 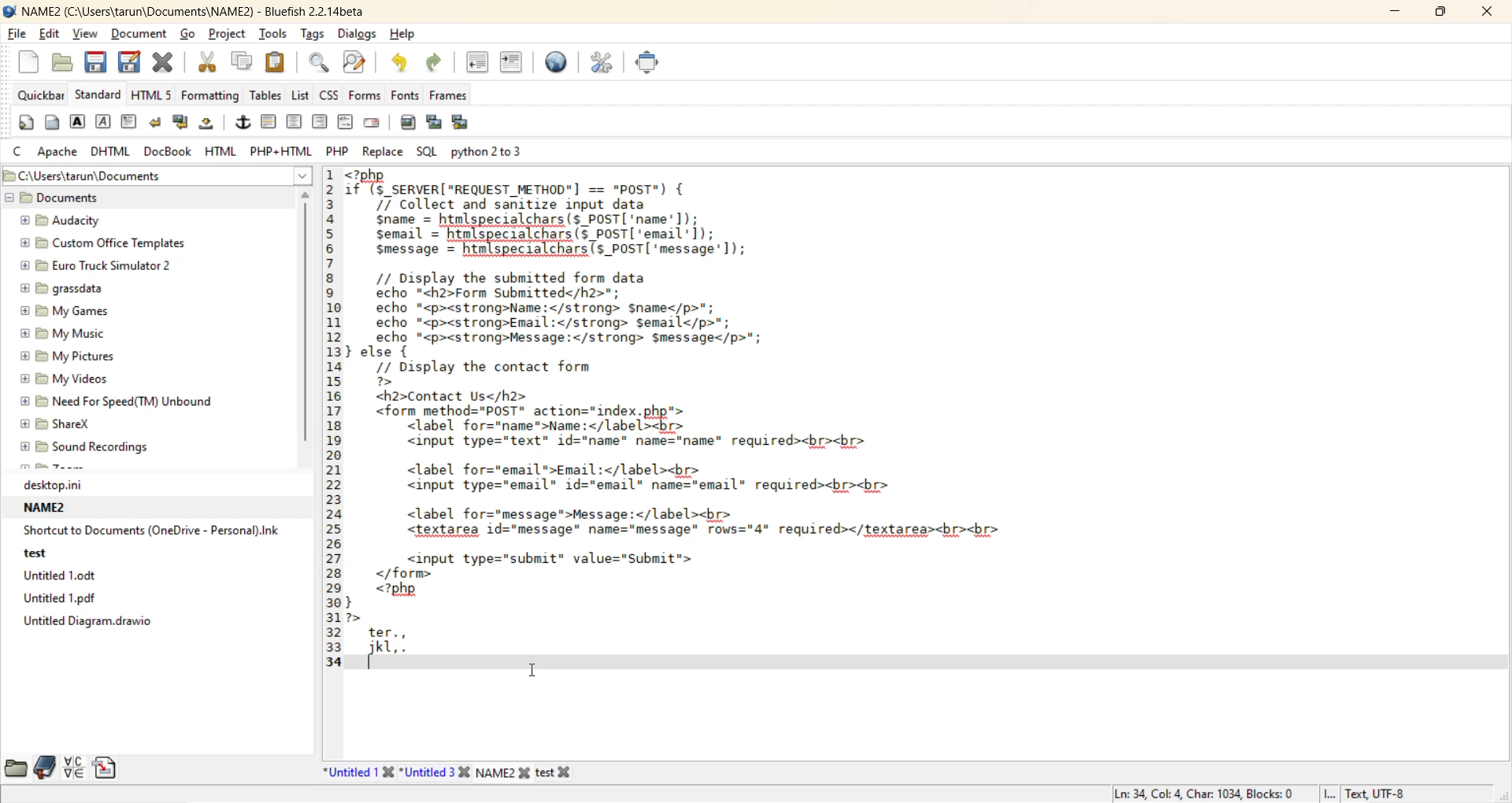 What do you see at coordinates (530, 672) in the screenshot?
I see `cursor` at bounding box center [530, 672].